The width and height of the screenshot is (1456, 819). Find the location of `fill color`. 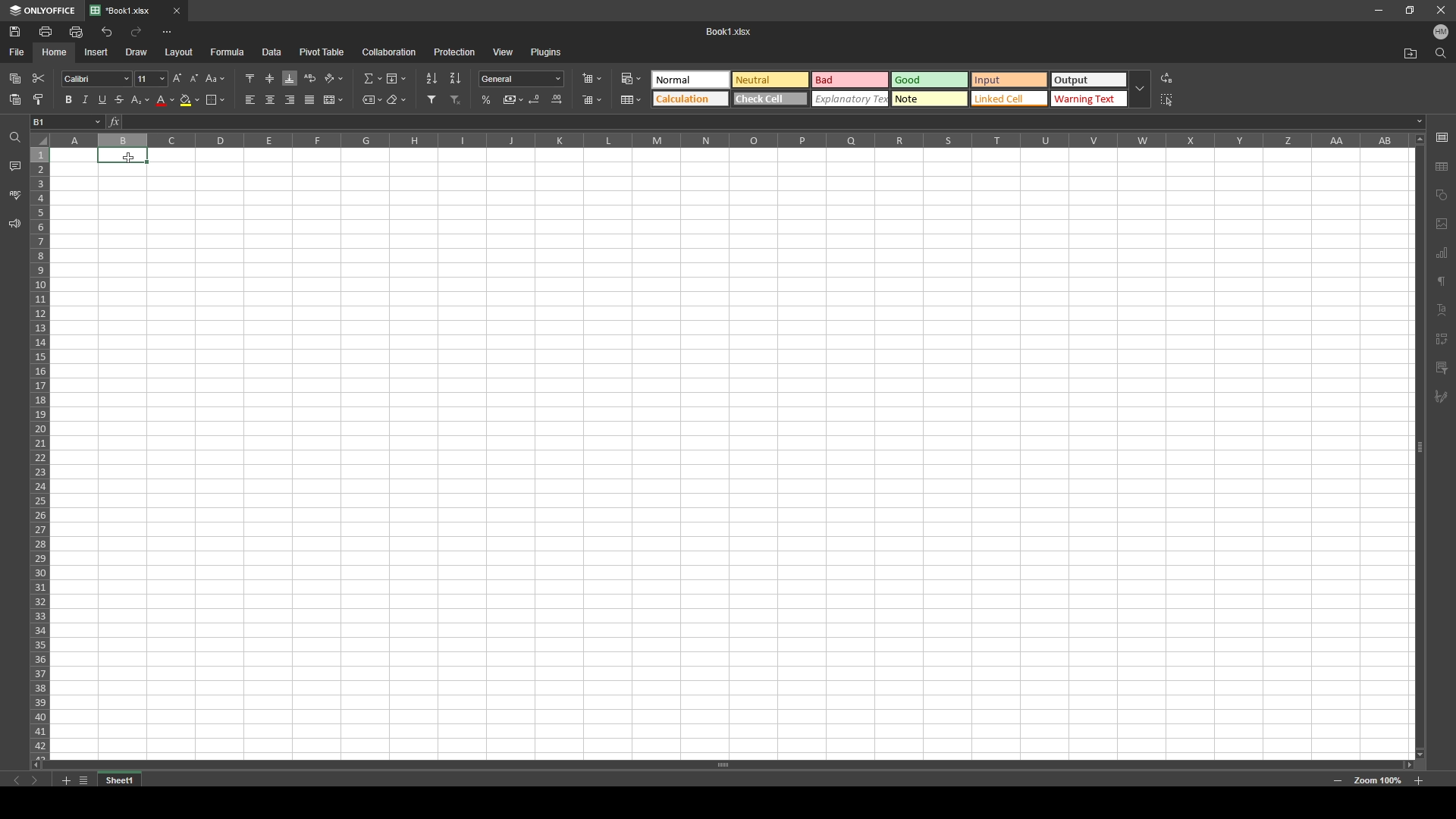

fill color is located at coordinates (190, 100).